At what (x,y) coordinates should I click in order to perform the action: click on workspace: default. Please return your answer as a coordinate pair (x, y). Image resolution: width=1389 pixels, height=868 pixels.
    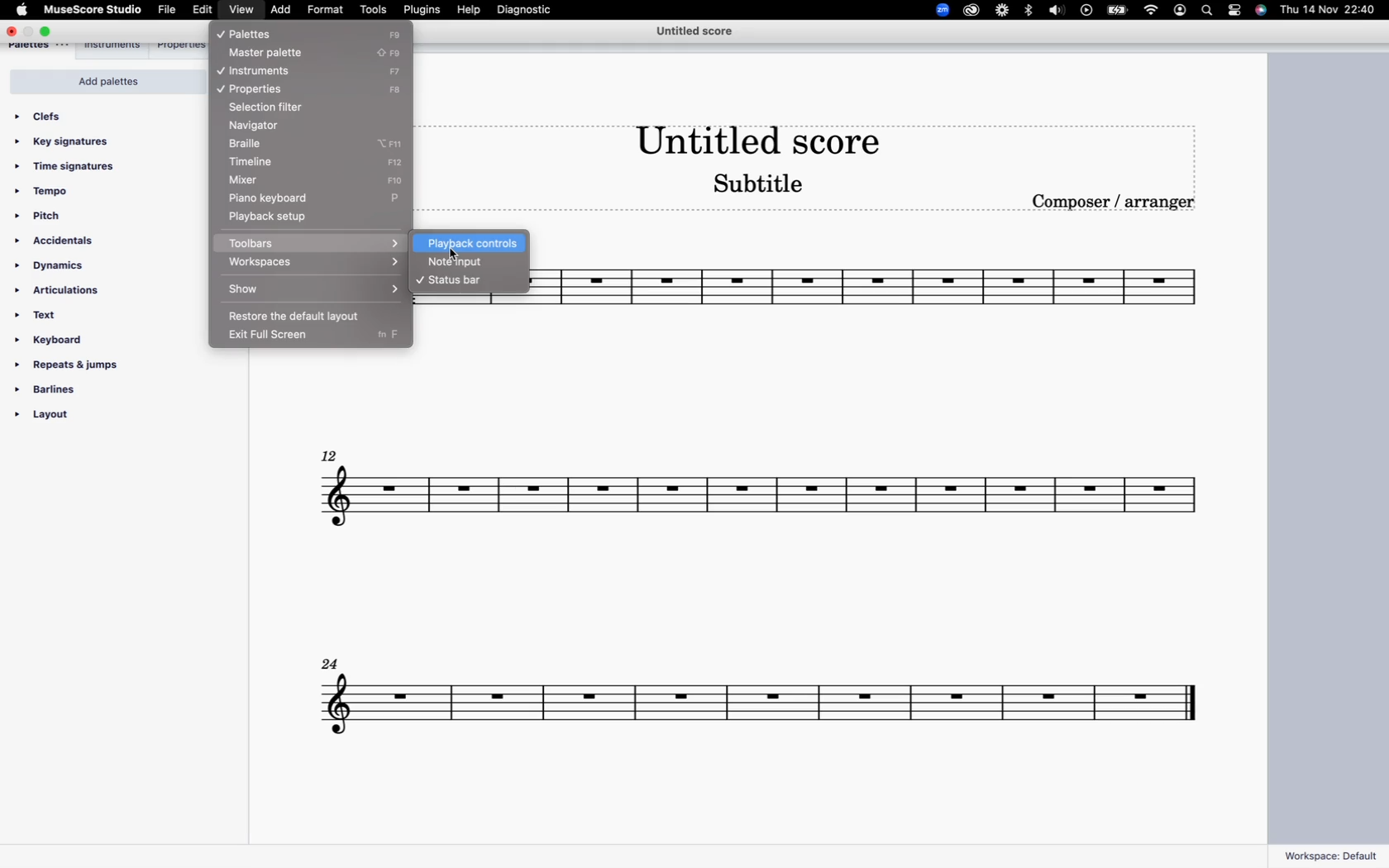
    Looking at the image, I should click on (1331, 851).